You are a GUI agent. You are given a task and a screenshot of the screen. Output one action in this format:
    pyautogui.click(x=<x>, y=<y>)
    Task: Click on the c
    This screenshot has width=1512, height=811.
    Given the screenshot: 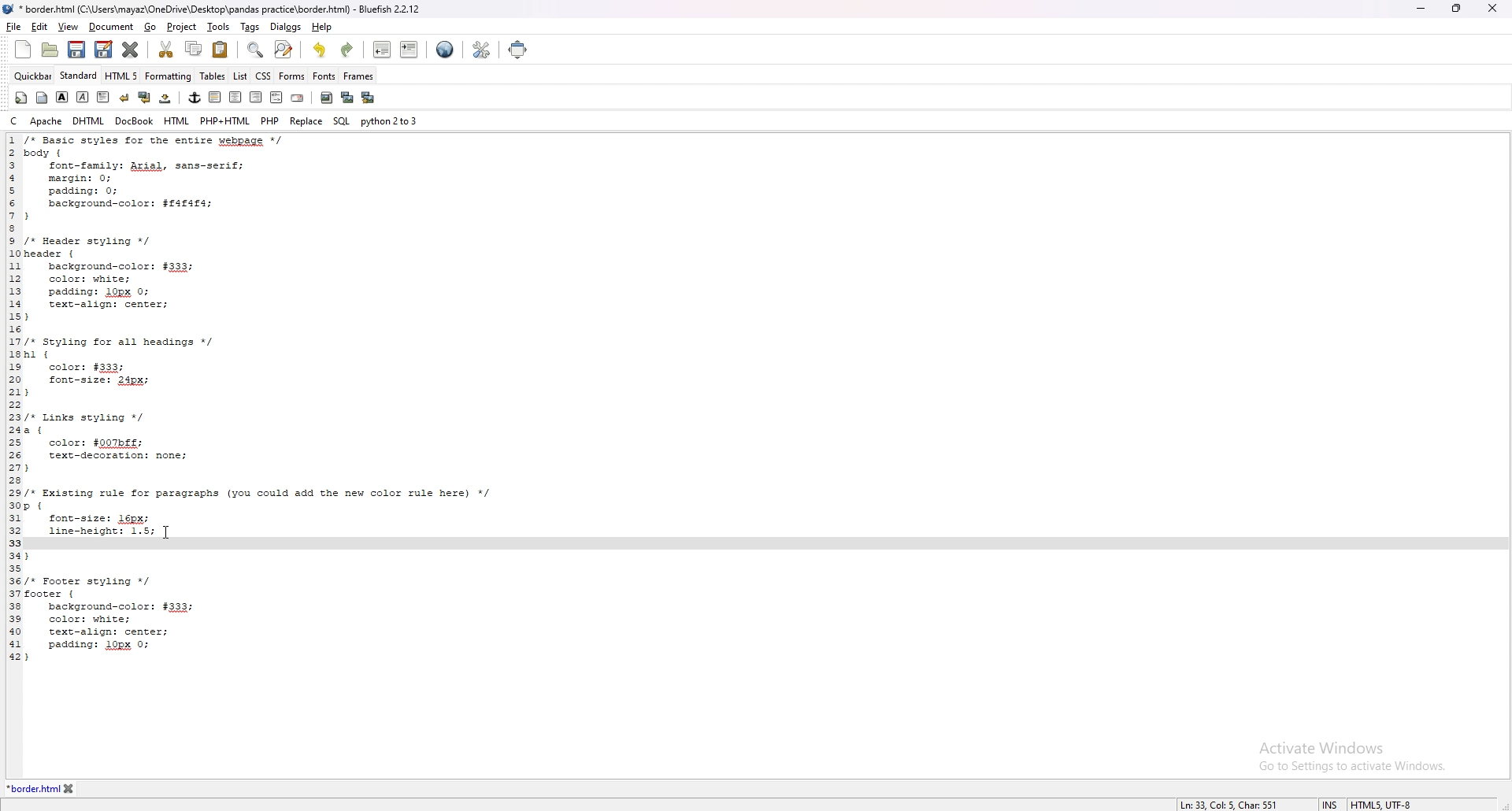 What is the action you would take?
    pyautogui.click(x=15, y=121)
    